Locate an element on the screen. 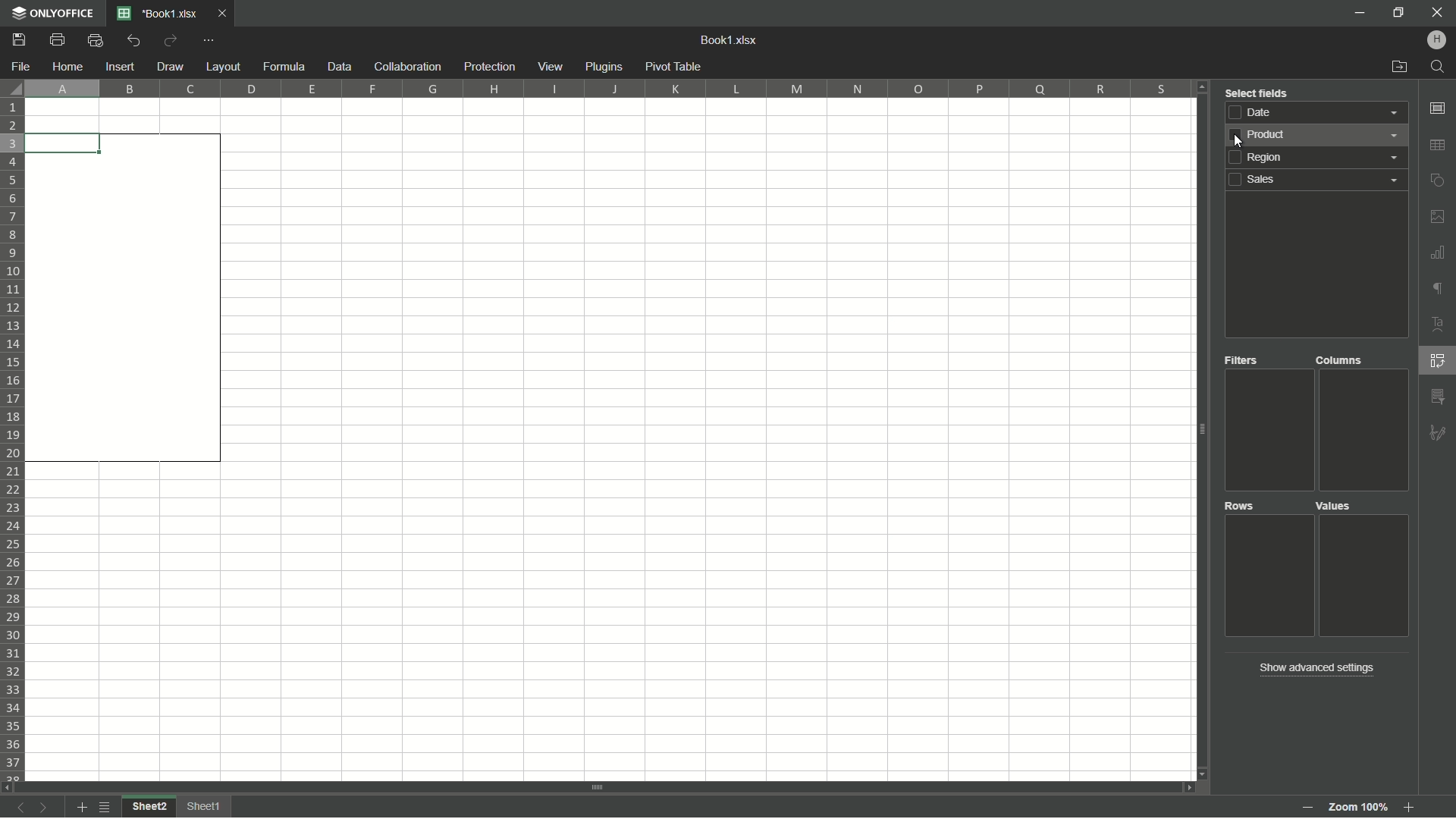  cells is located at coordinates (127, 117).